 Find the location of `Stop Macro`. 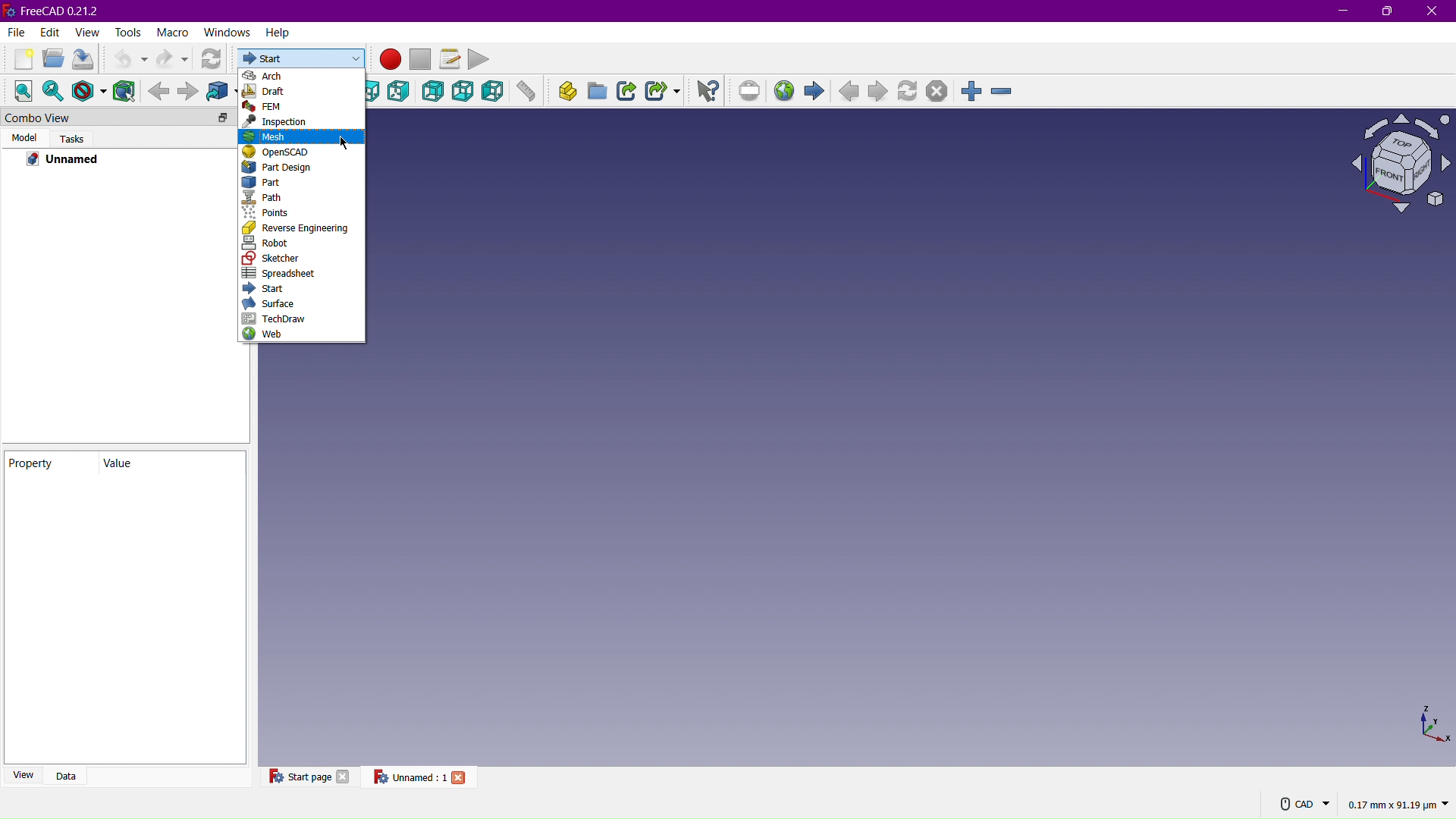

Stop Macro is located at coordinates (422, 59).